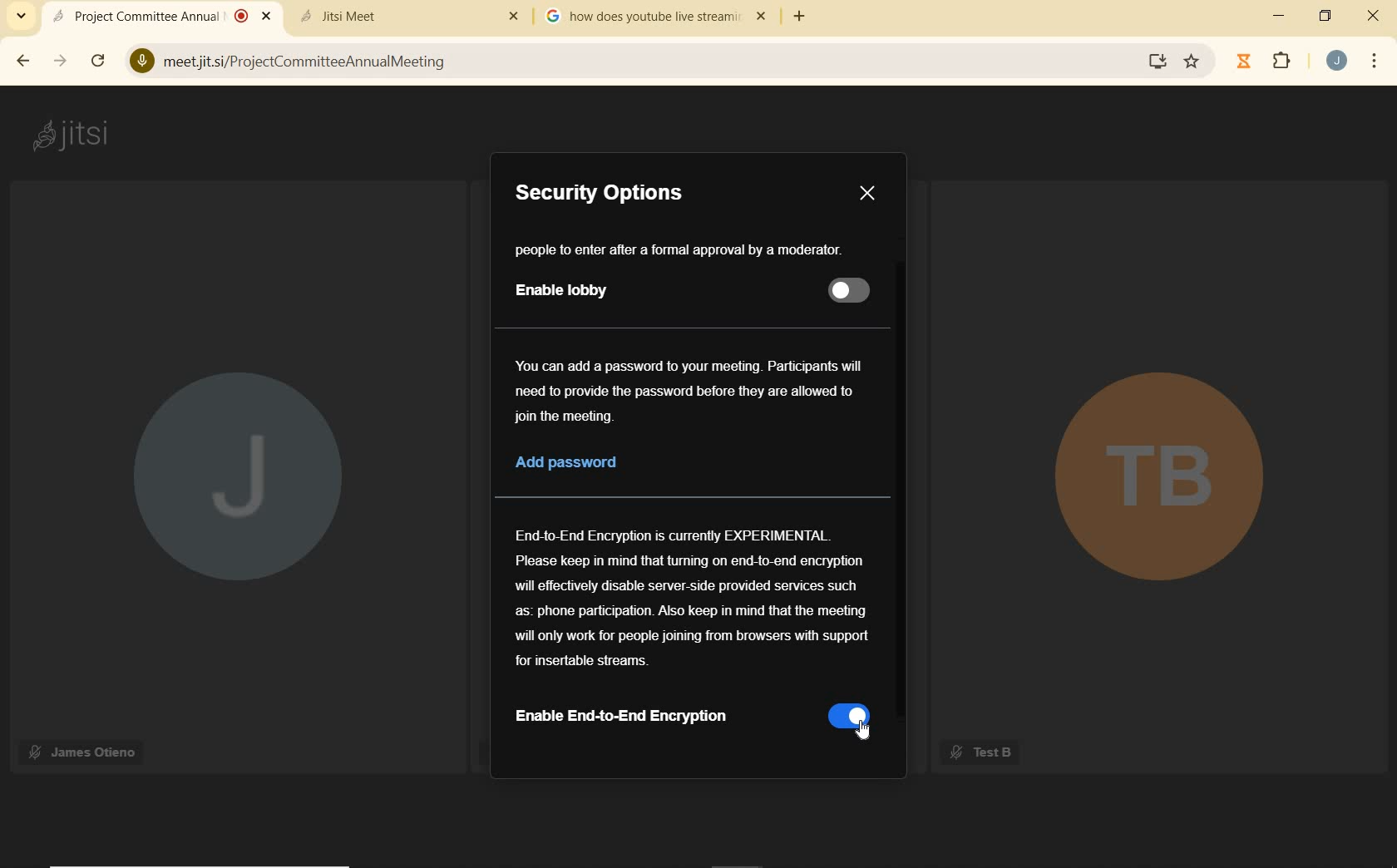 This screenshot has height=868, width=1397. Describe the element at coordinates (693, 391) in the screenshot. I see `You can add a password to your meeting. Participants will
need to provide the password before they are allowed to
join the meeting` at that location.